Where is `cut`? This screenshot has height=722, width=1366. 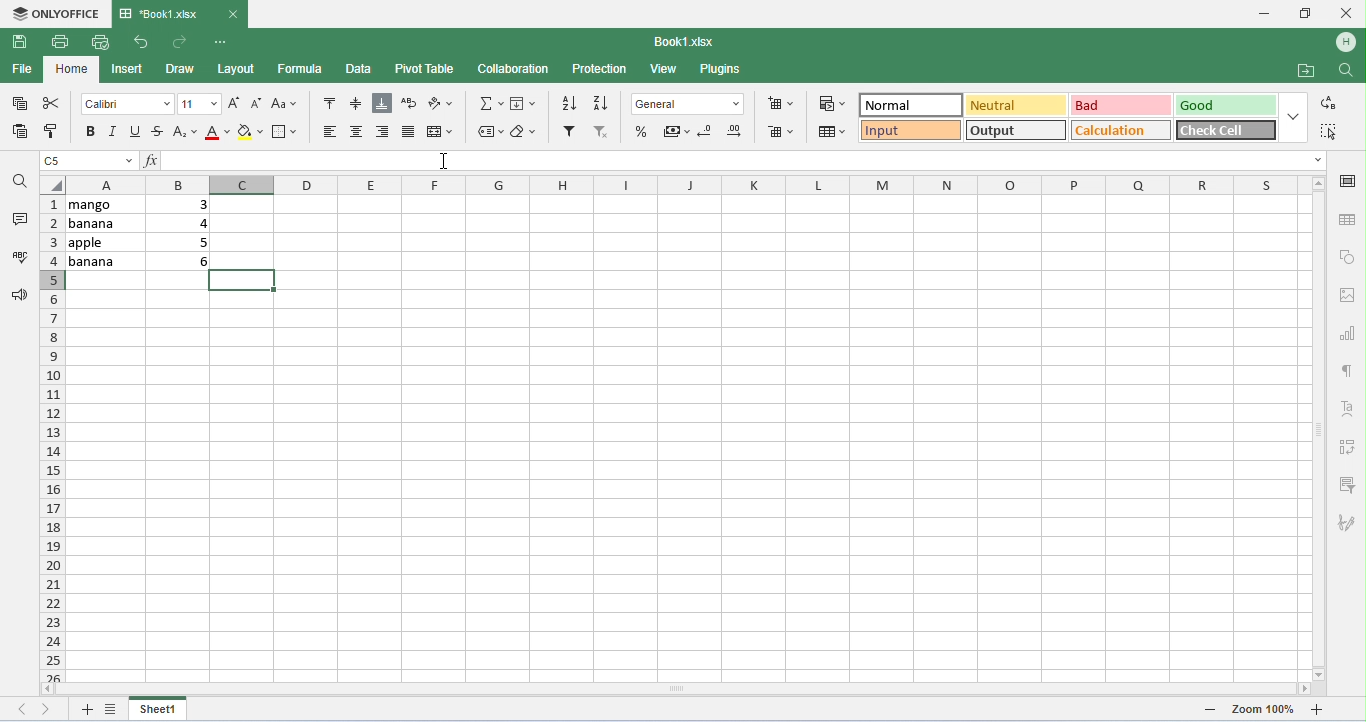
cut is located at coordinates (54, 103).